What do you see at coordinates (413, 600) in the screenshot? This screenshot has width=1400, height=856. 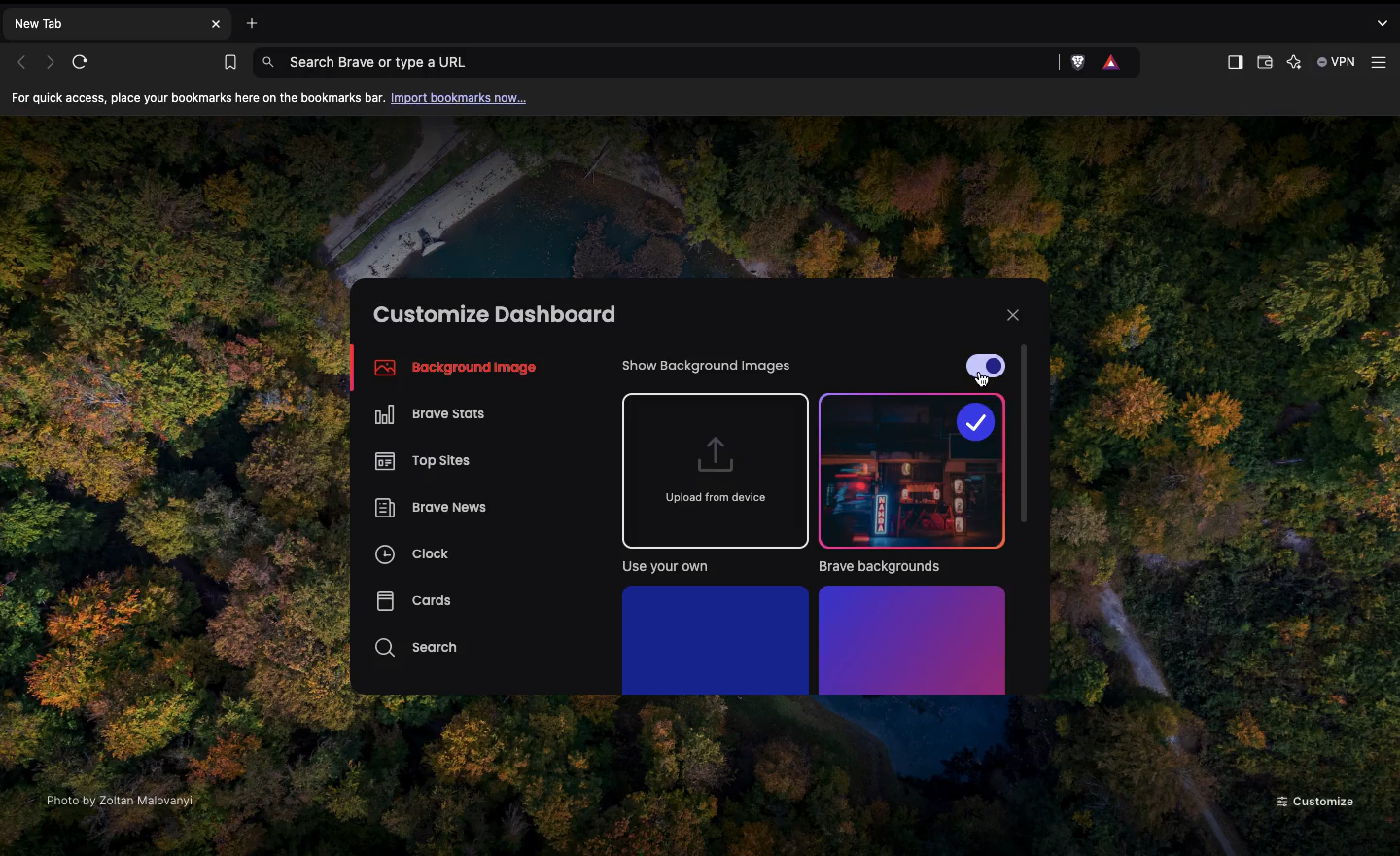 I see `Cards` at bounding box center [413, 600].